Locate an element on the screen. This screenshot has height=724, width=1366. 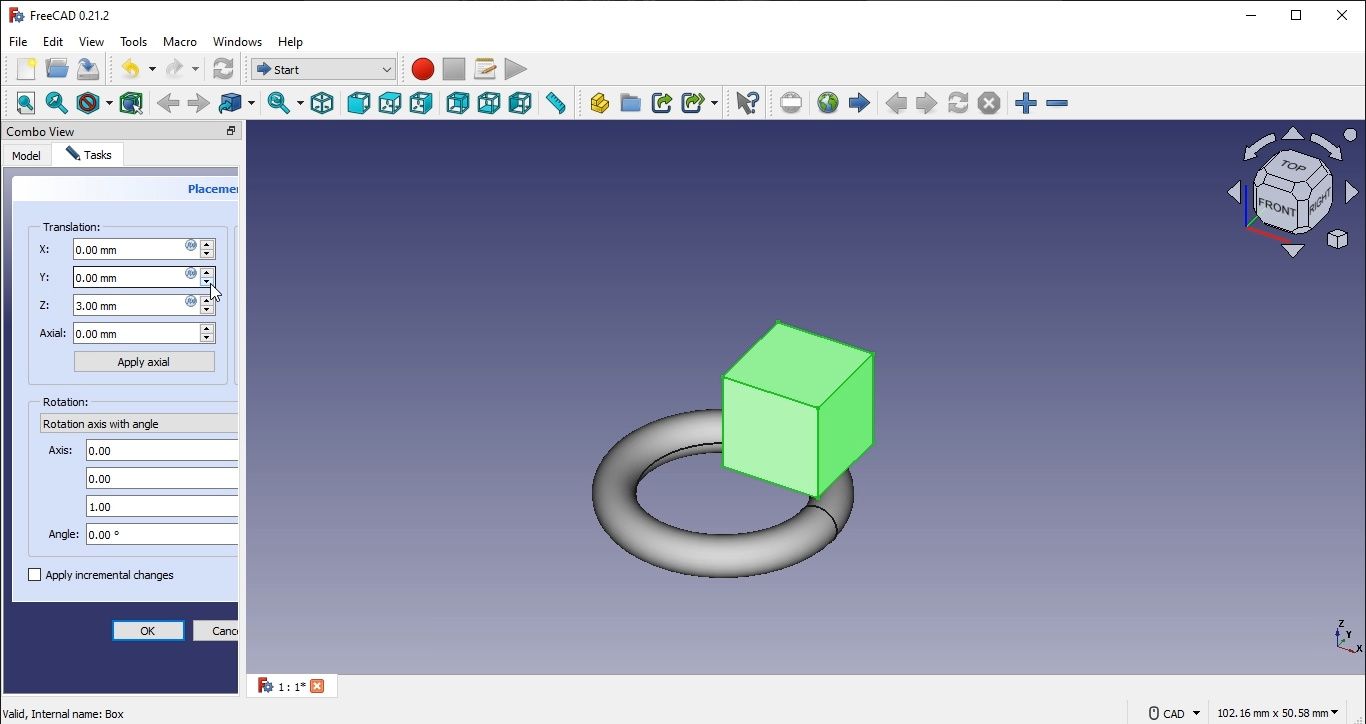
zoom in is located at coordinates (1057, 102).